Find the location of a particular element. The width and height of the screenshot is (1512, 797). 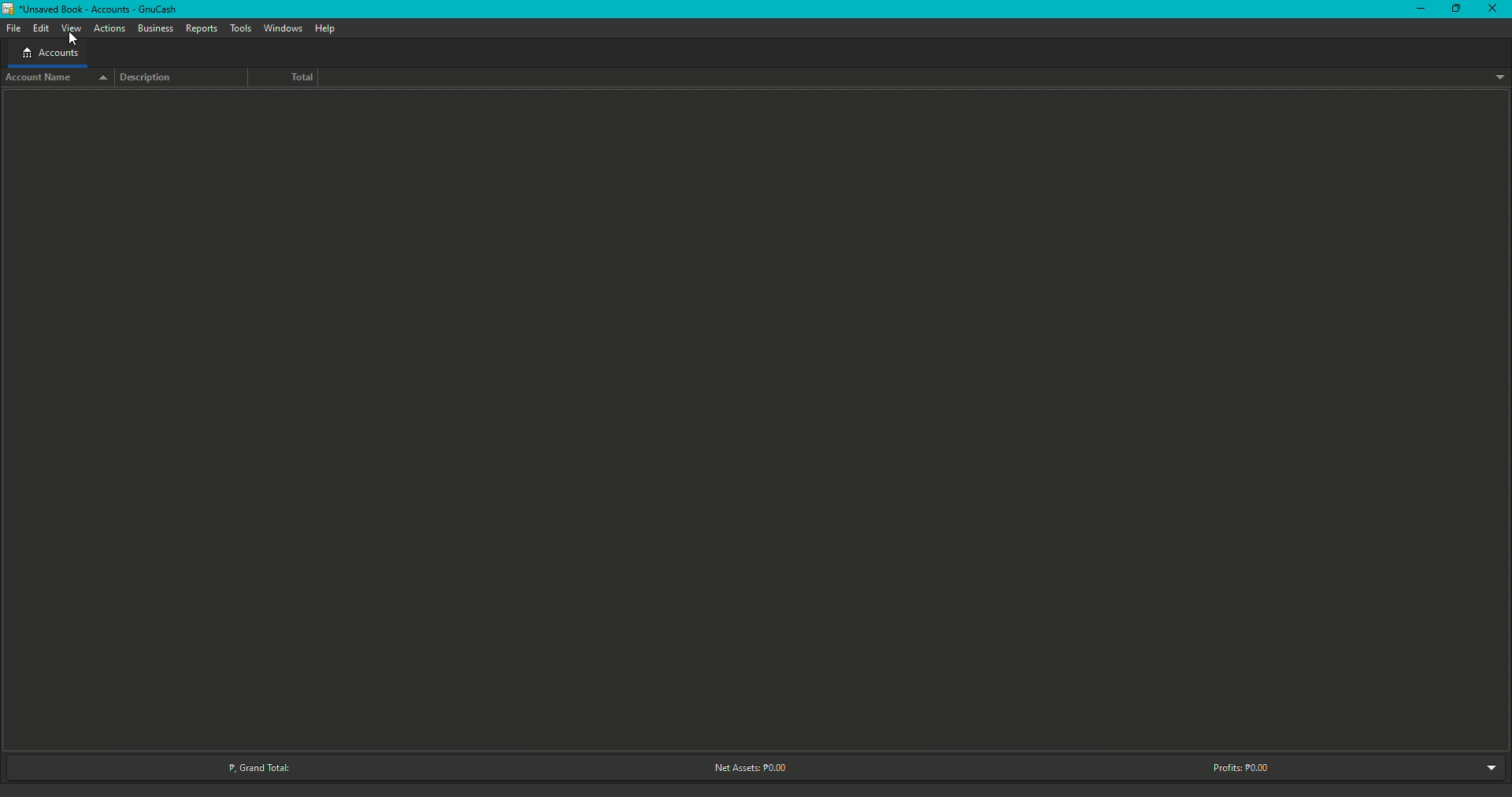

Deposits is located at coordinates (201, 28).